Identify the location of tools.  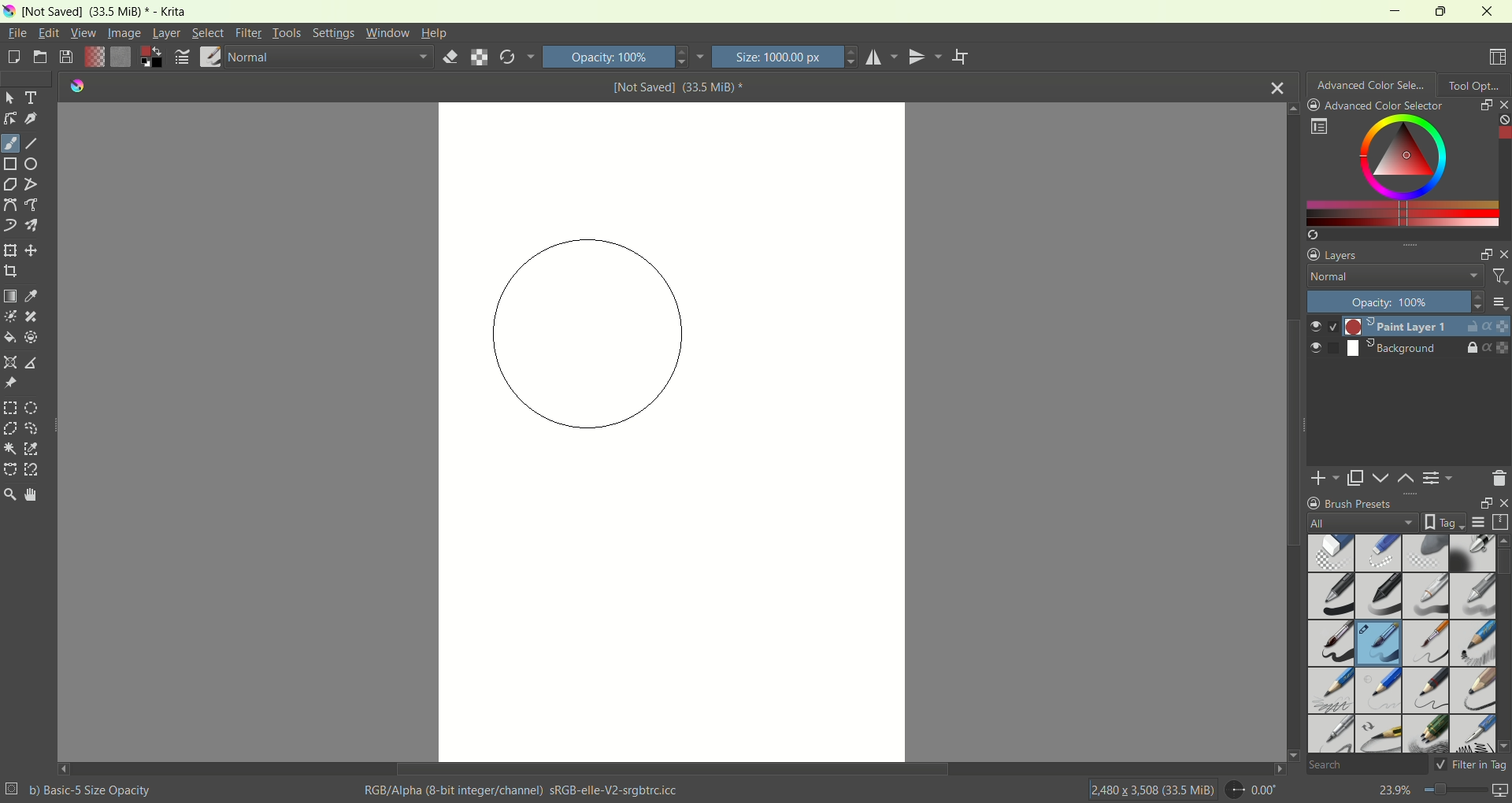
(287, 33).